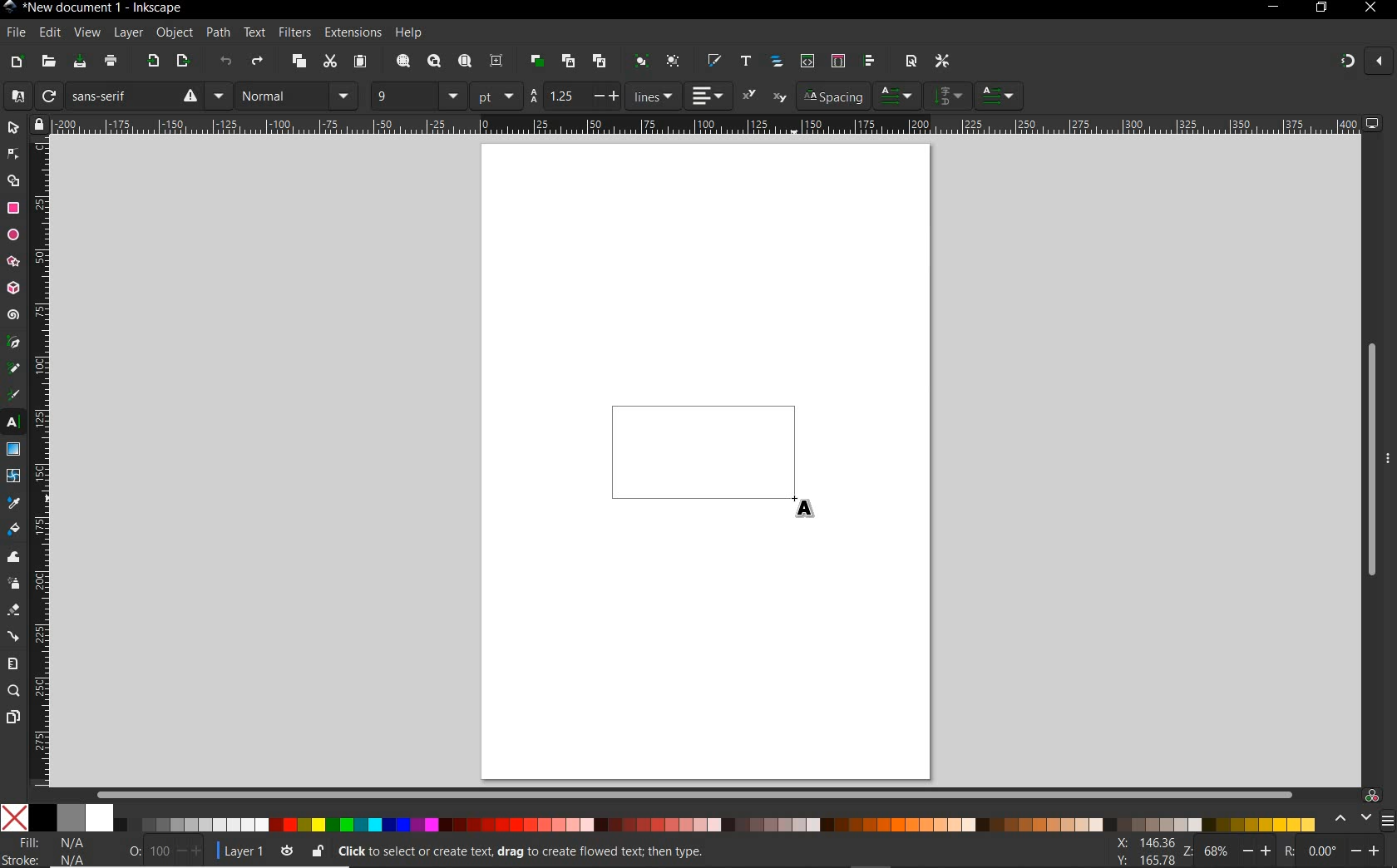  What do you see at coordinates (1379, 62) in the screenshot?
I see `close options` at bounding box center [1379, 62].